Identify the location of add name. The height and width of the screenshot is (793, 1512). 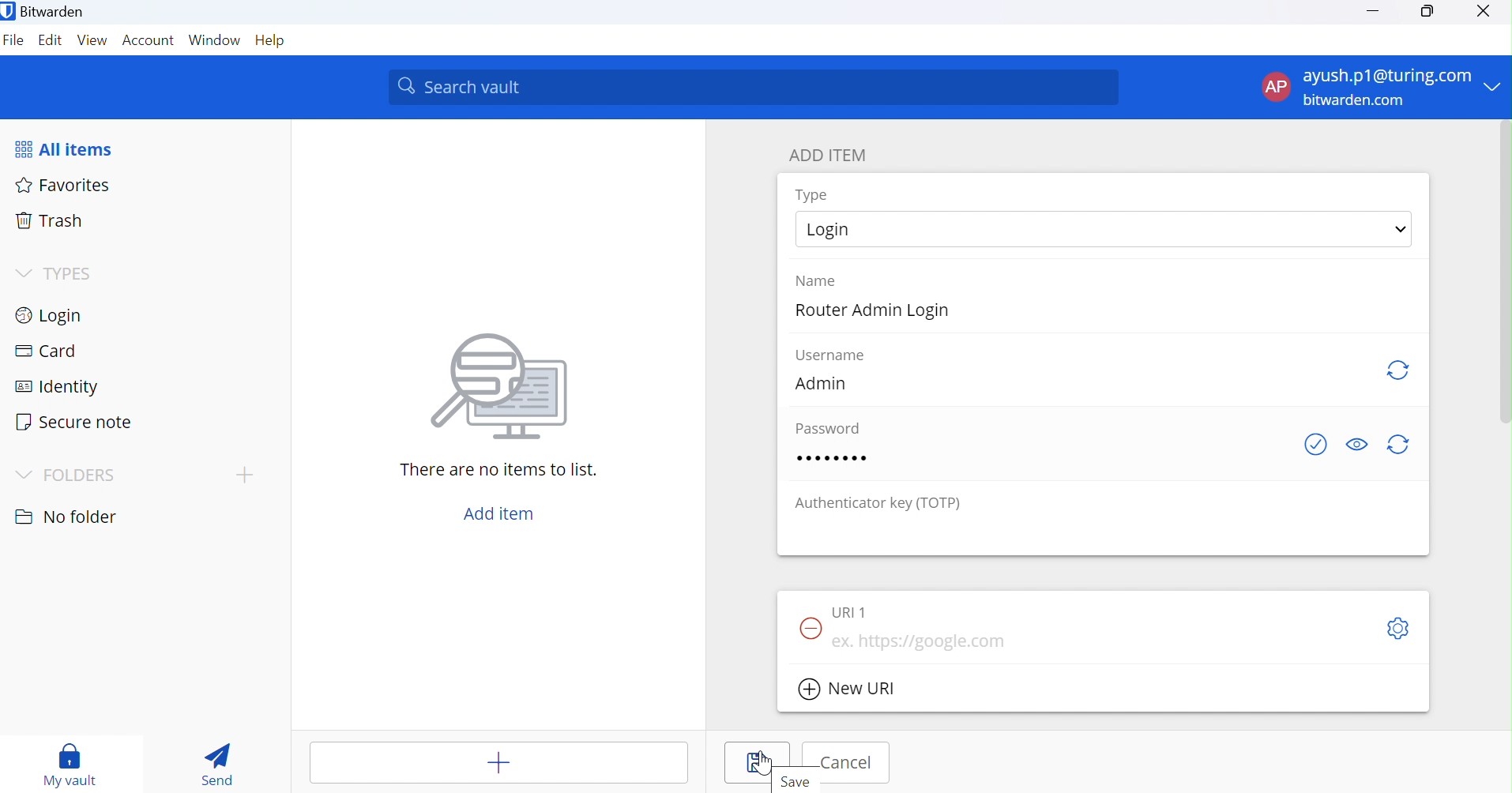
(1102, 312).